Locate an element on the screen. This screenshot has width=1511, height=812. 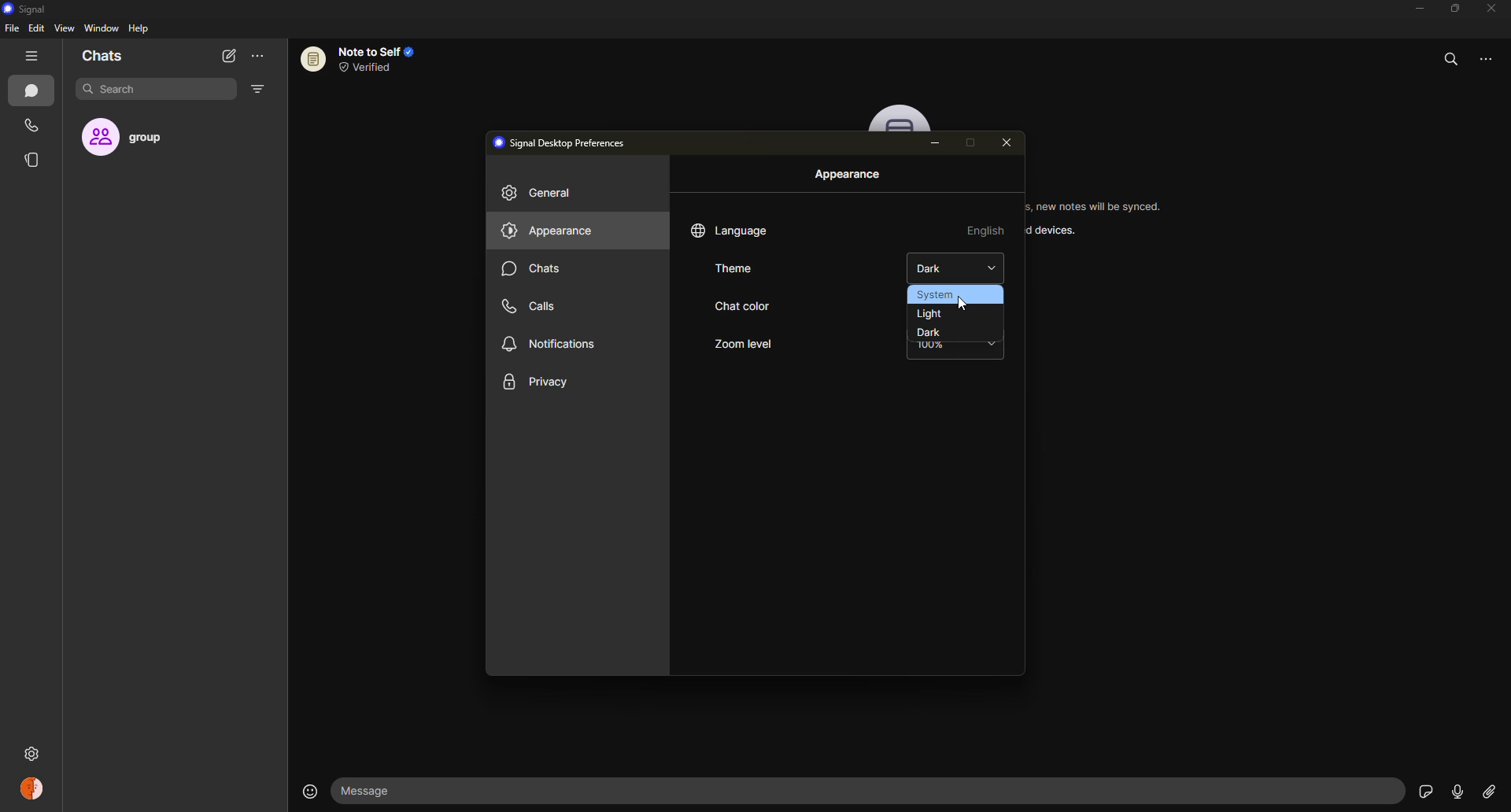
more is located at coordinates (1493, 56).